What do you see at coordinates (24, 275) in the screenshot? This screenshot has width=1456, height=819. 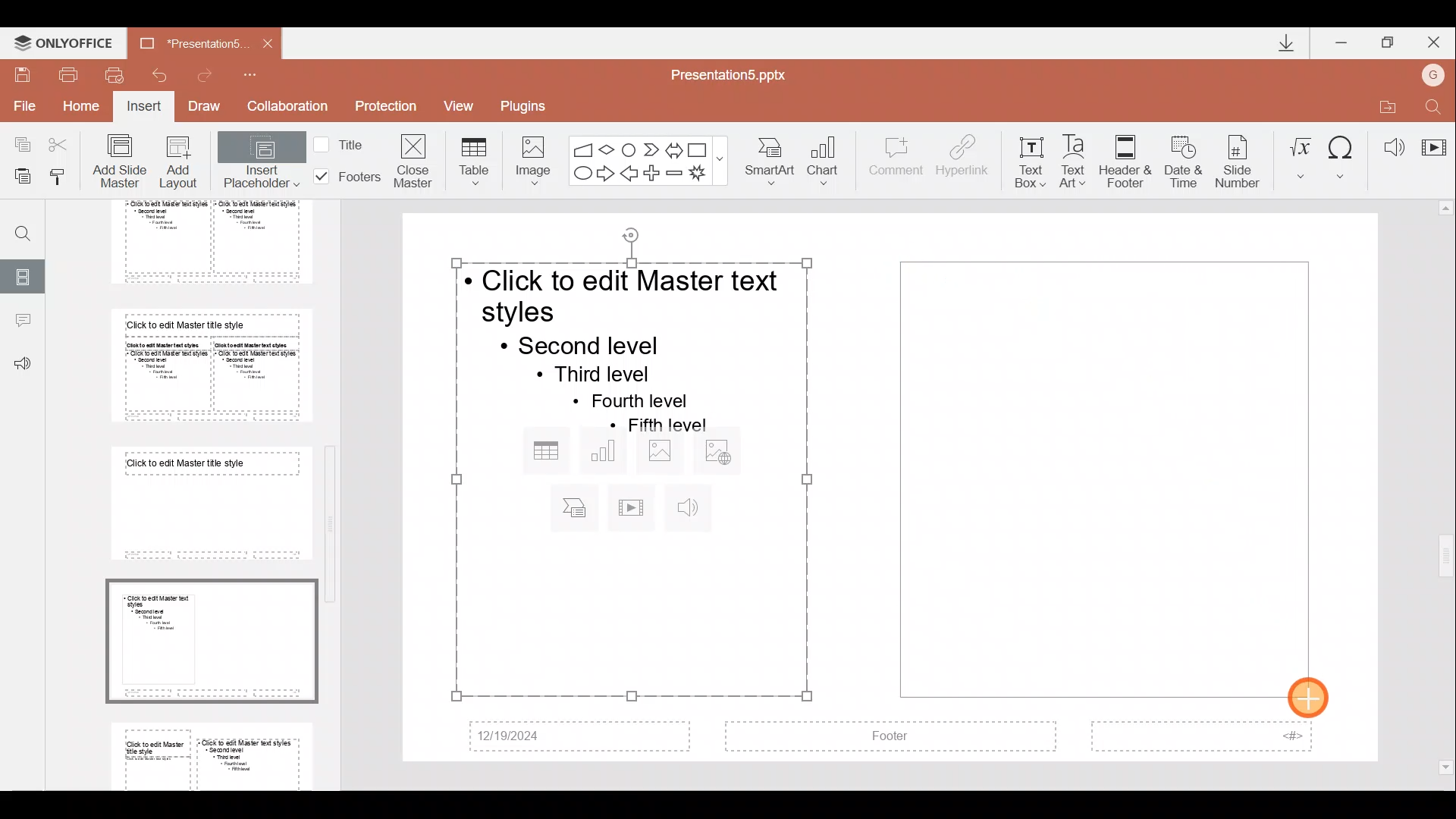 I see `Slides` at bounding box center [24, 275].